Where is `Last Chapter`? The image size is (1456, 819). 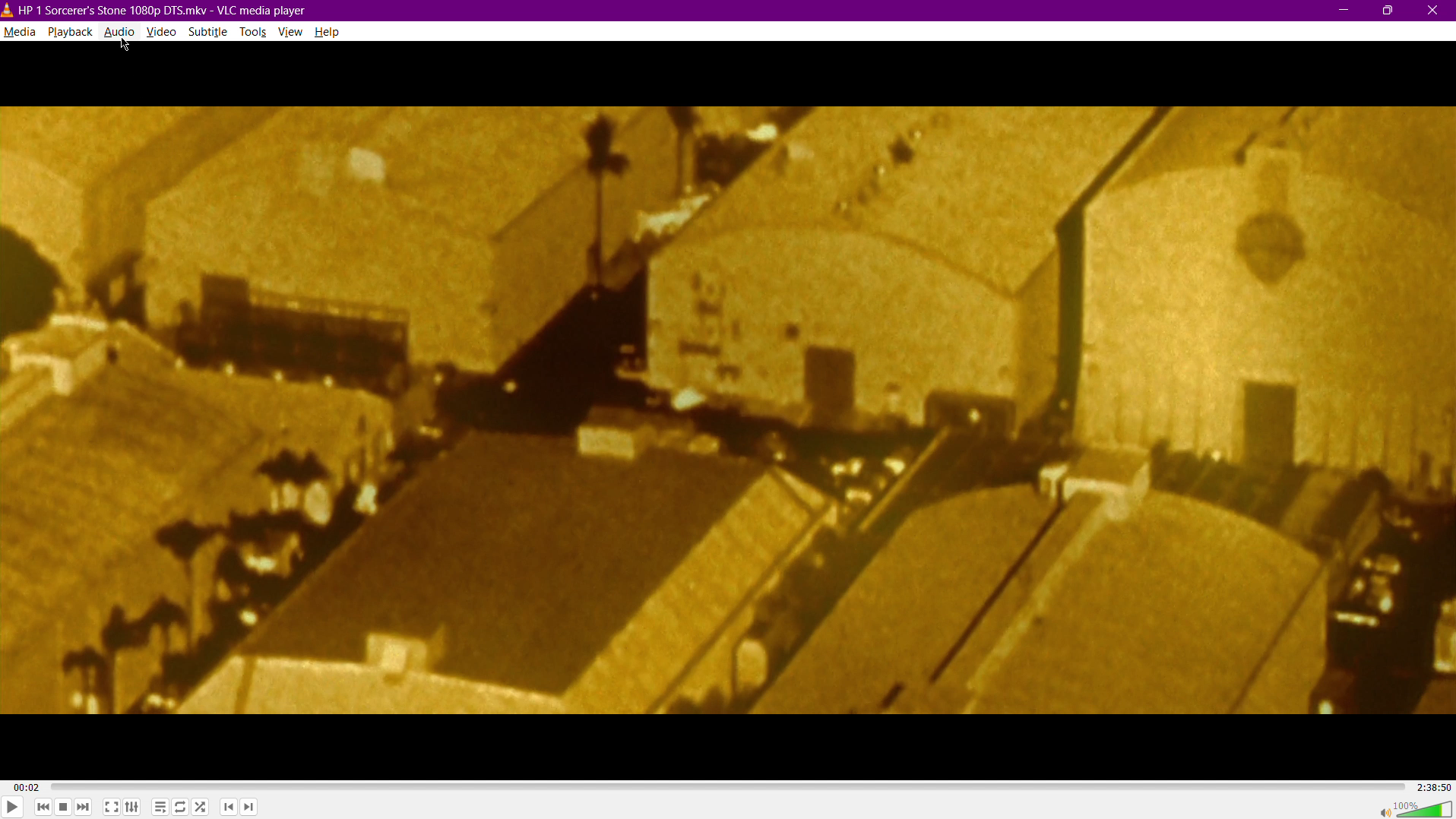 Last Chapter is located at coordinates (229, 809).